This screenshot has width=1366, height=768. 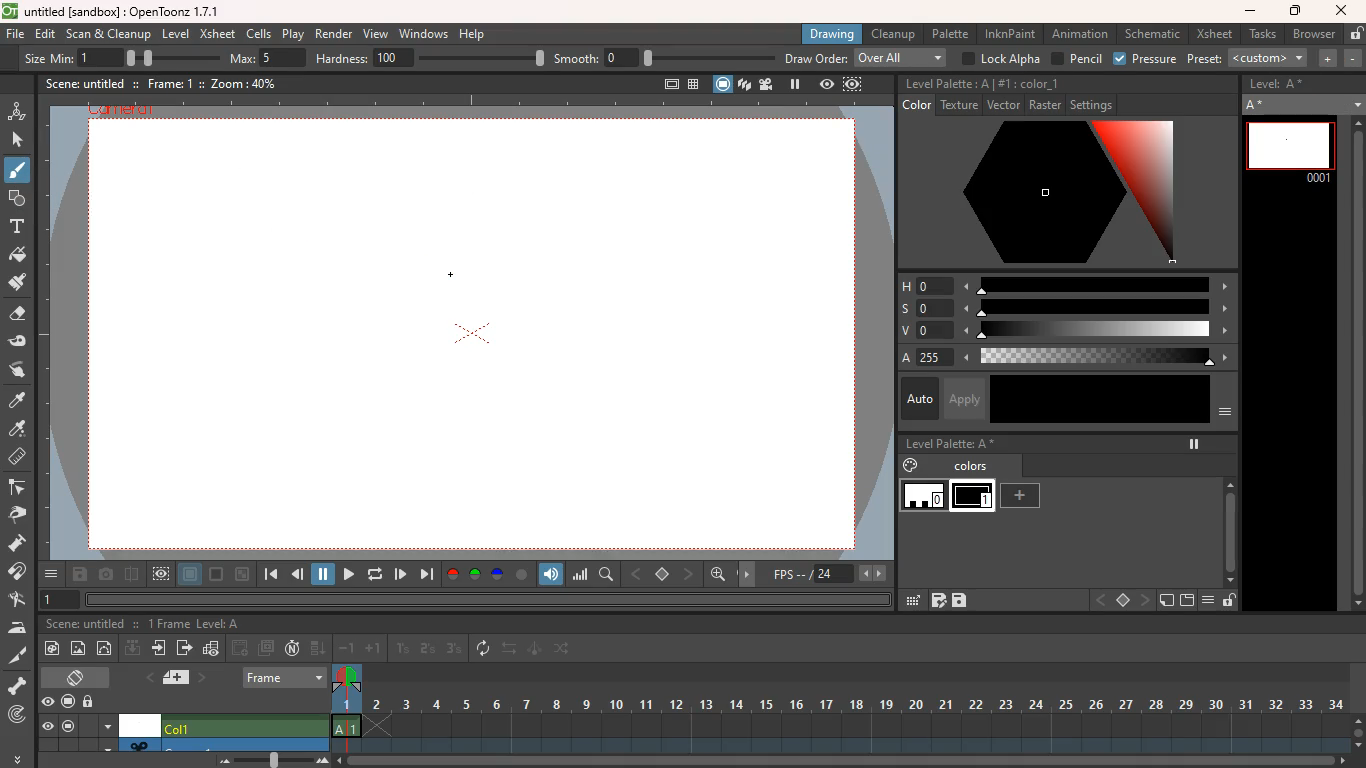 What do you see at coordinates (165, 57) in the screenshot?
I see `size` at bounding box center [165, 57].